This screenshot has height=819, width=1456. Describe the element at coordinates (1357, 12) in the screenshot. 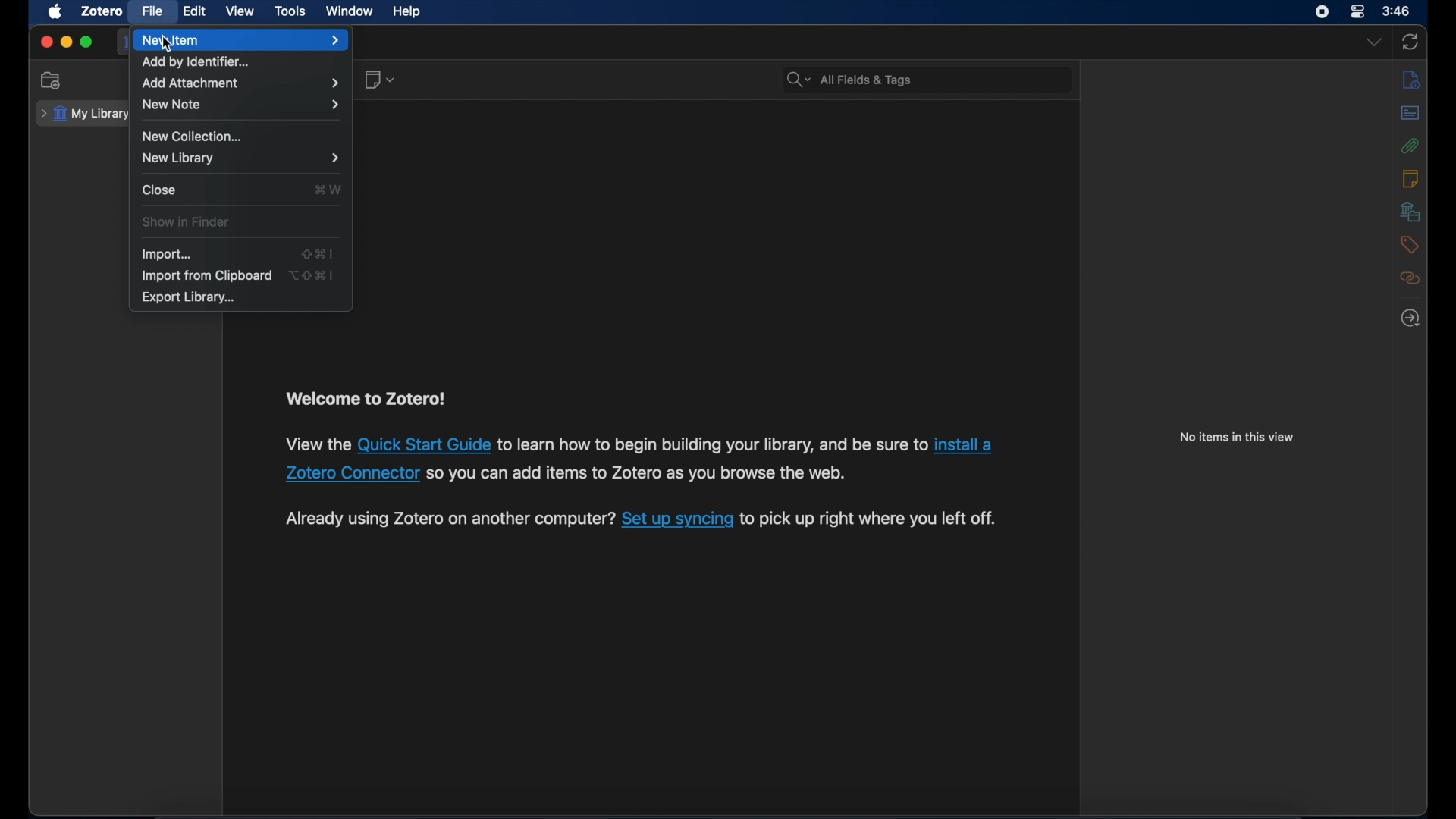

I see `control center` at that location.